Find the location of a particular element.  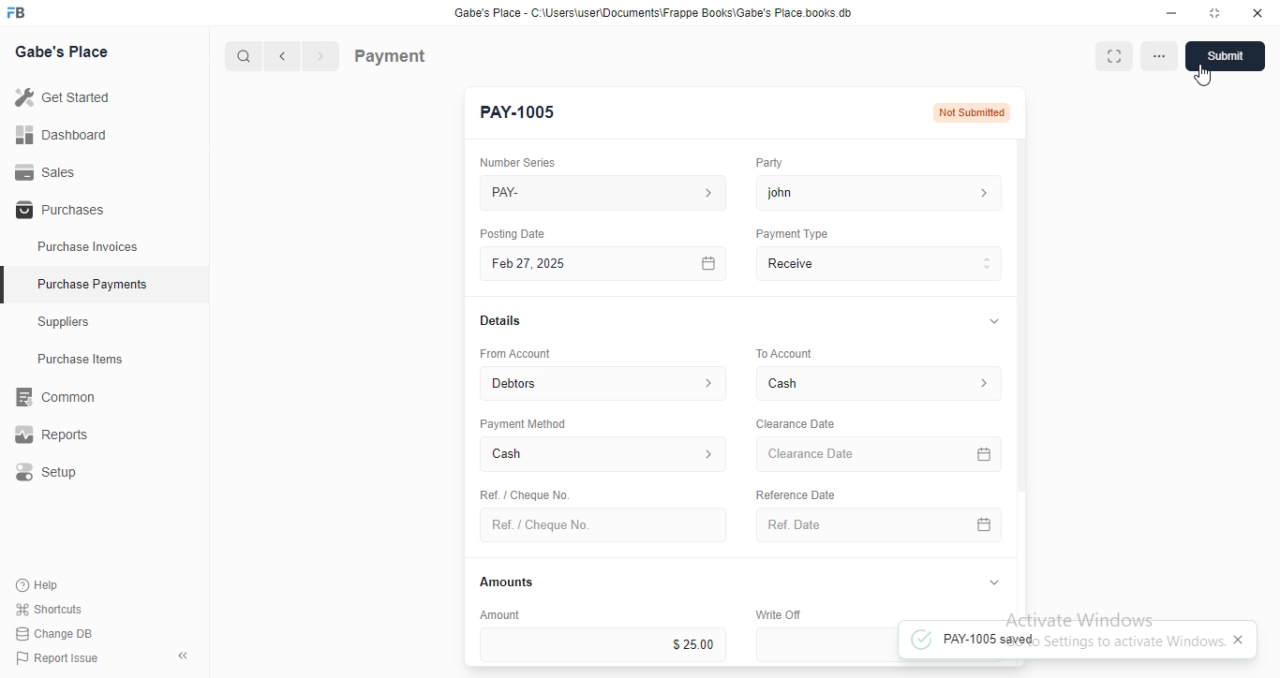

Cash is located at coordinates (604, 456).